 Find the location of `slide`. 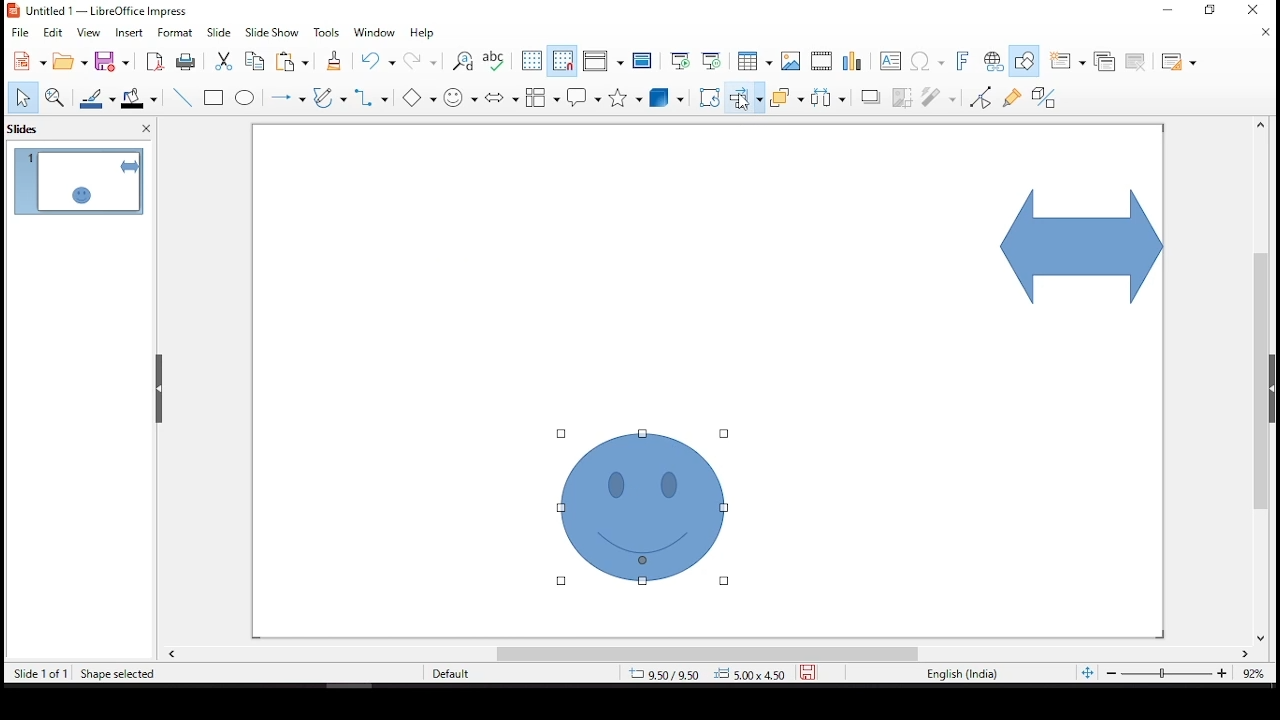

slide is located at coordinates (219, 32).